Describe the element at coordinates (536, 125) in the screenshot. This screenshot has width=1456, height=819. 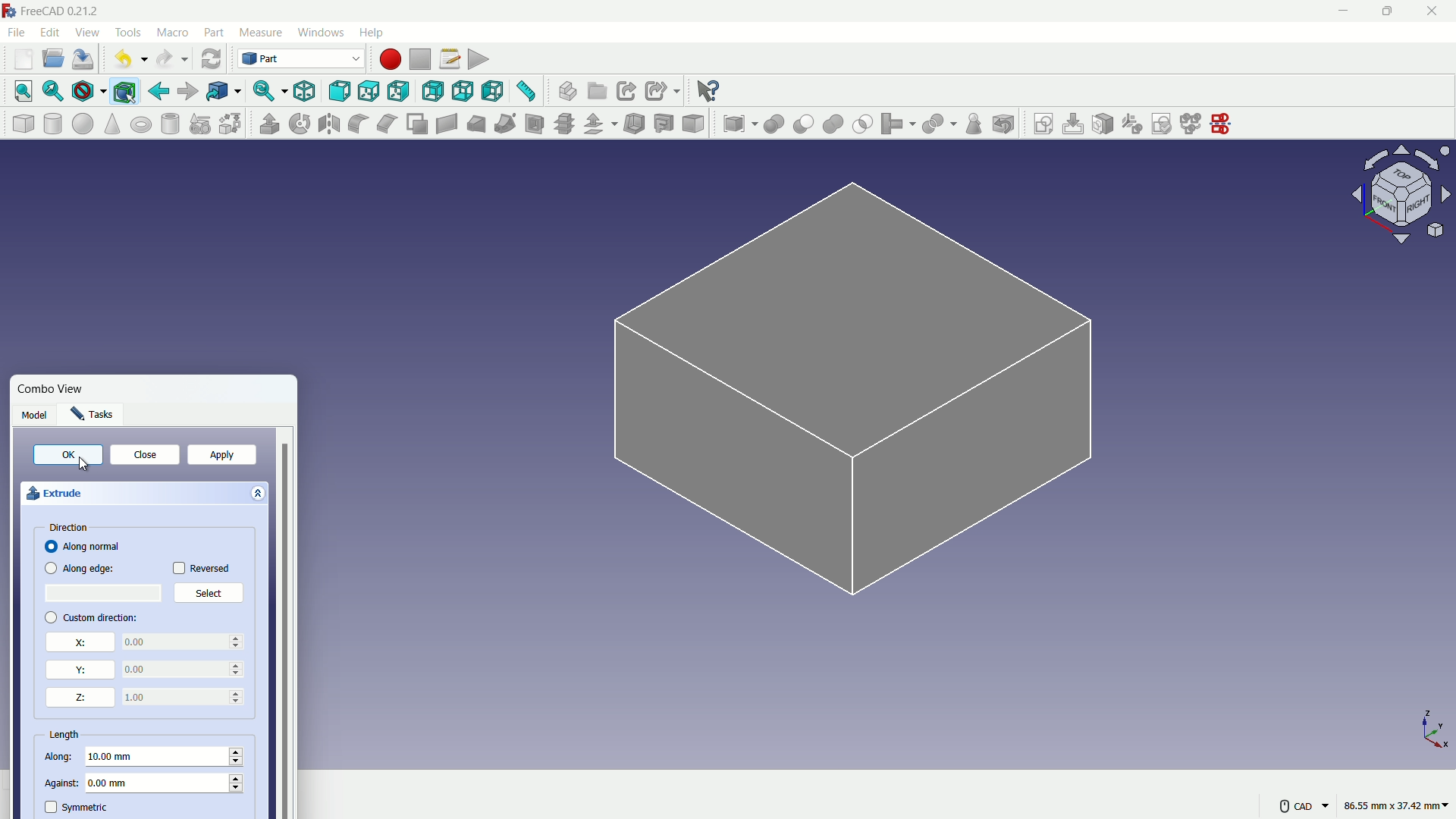
I see `section` at that location.